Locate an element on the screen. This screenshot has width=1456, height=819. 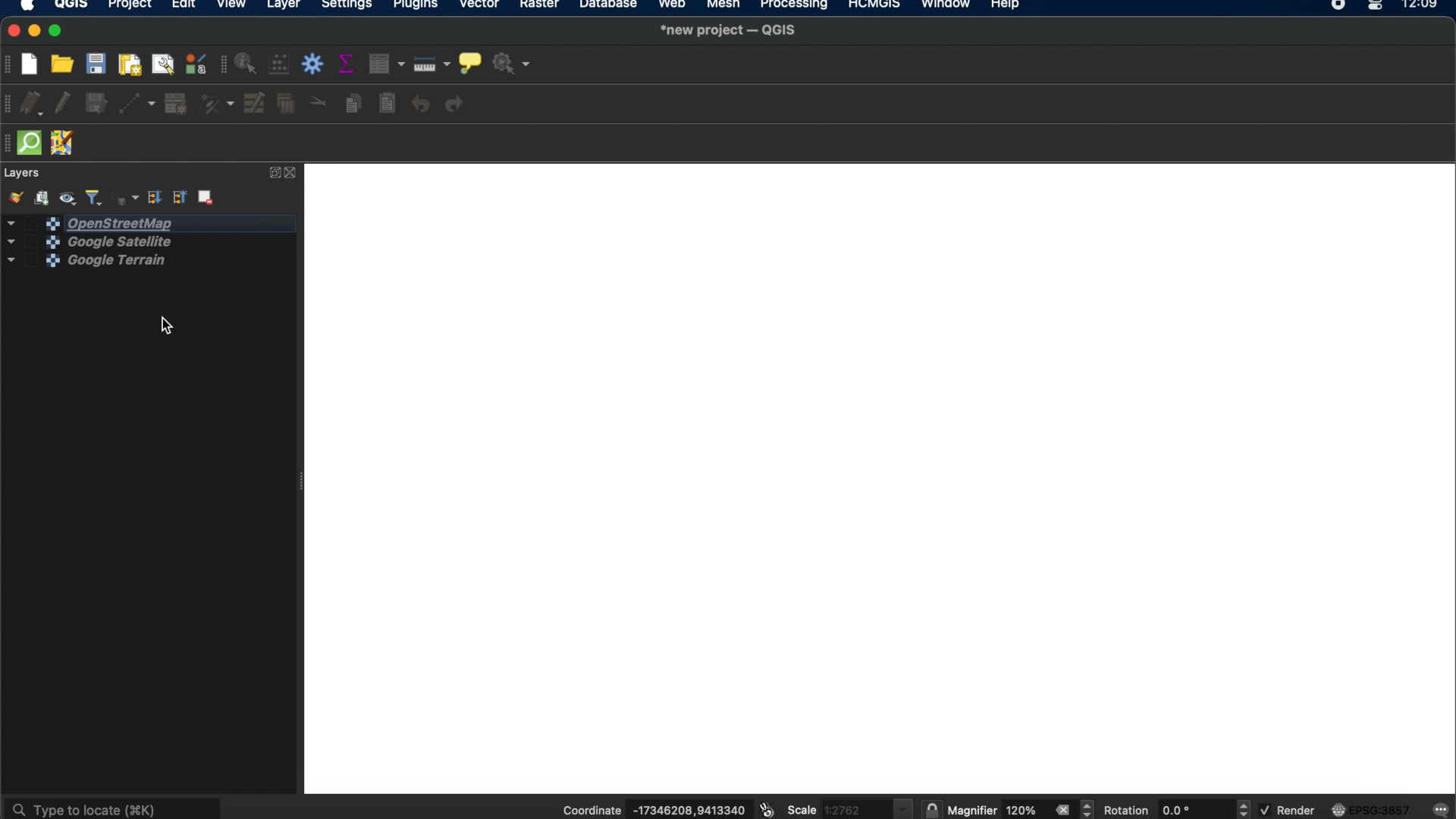
show layout manager is located at coordinates (165, 64).